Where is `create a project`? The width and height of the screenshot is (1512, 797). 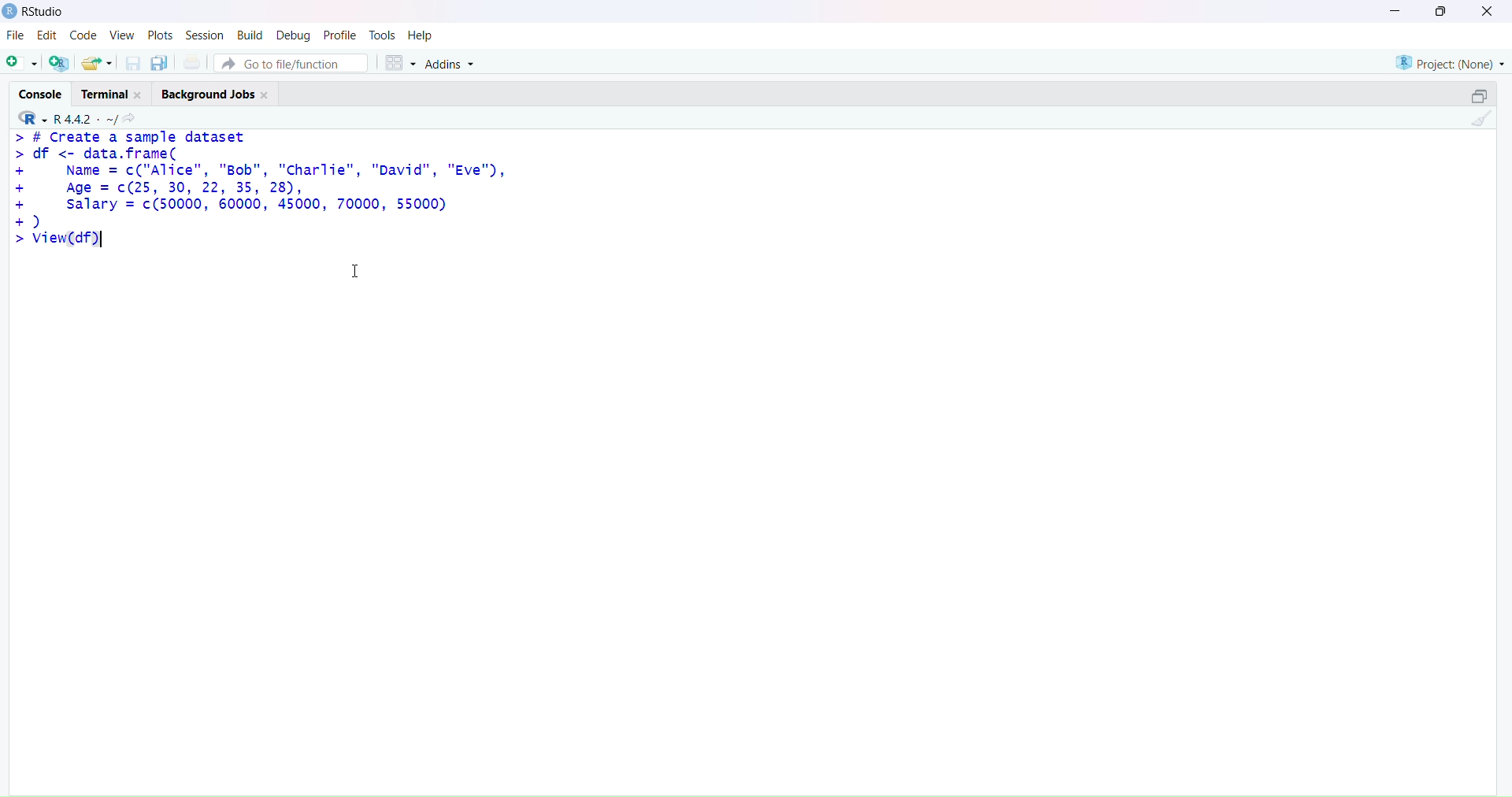 create a project is located at coordinates (59, 63).